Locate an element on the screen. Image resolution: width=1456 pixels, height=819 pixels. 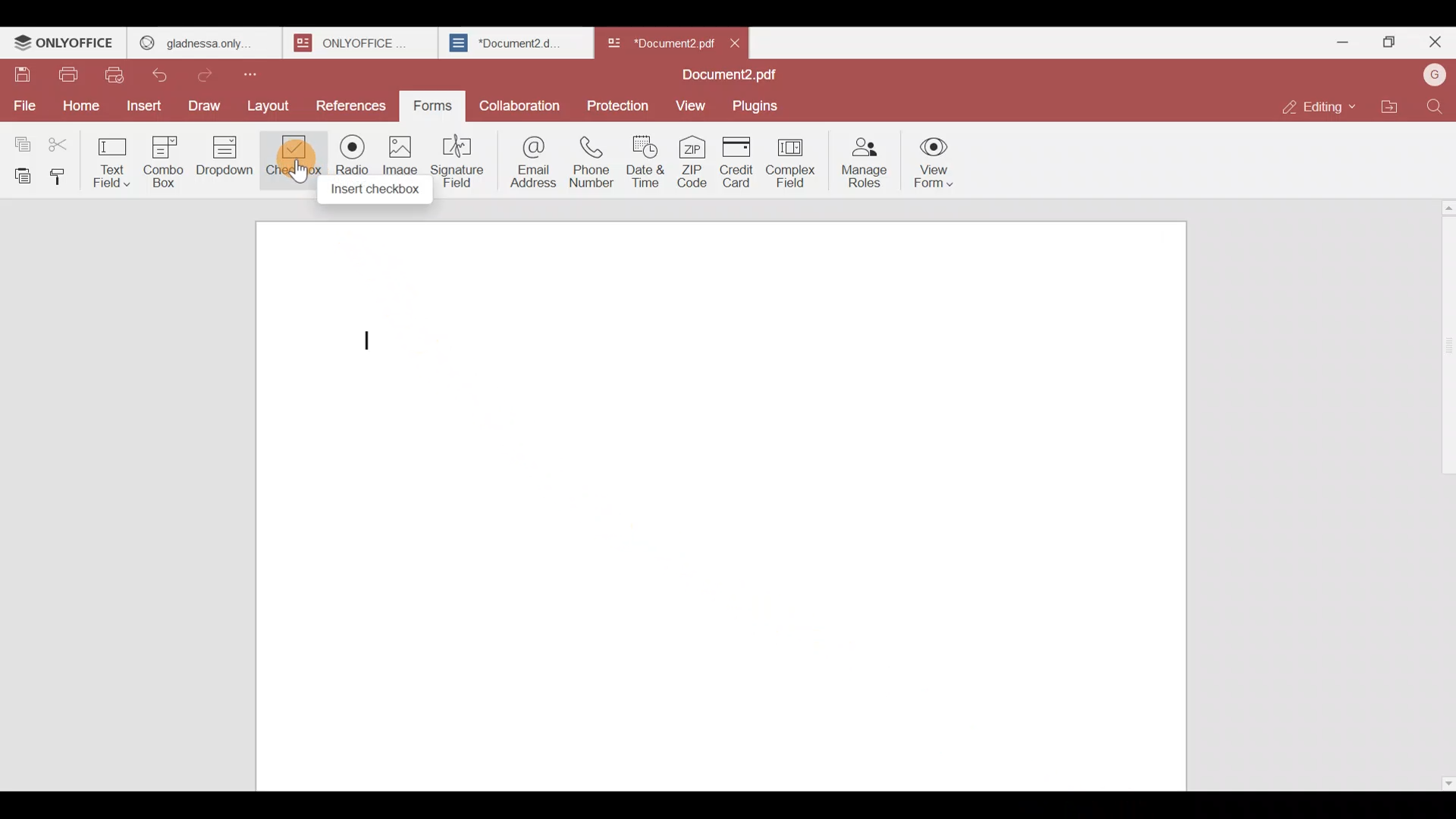
Checkbox is located at coordinates (290, 158).